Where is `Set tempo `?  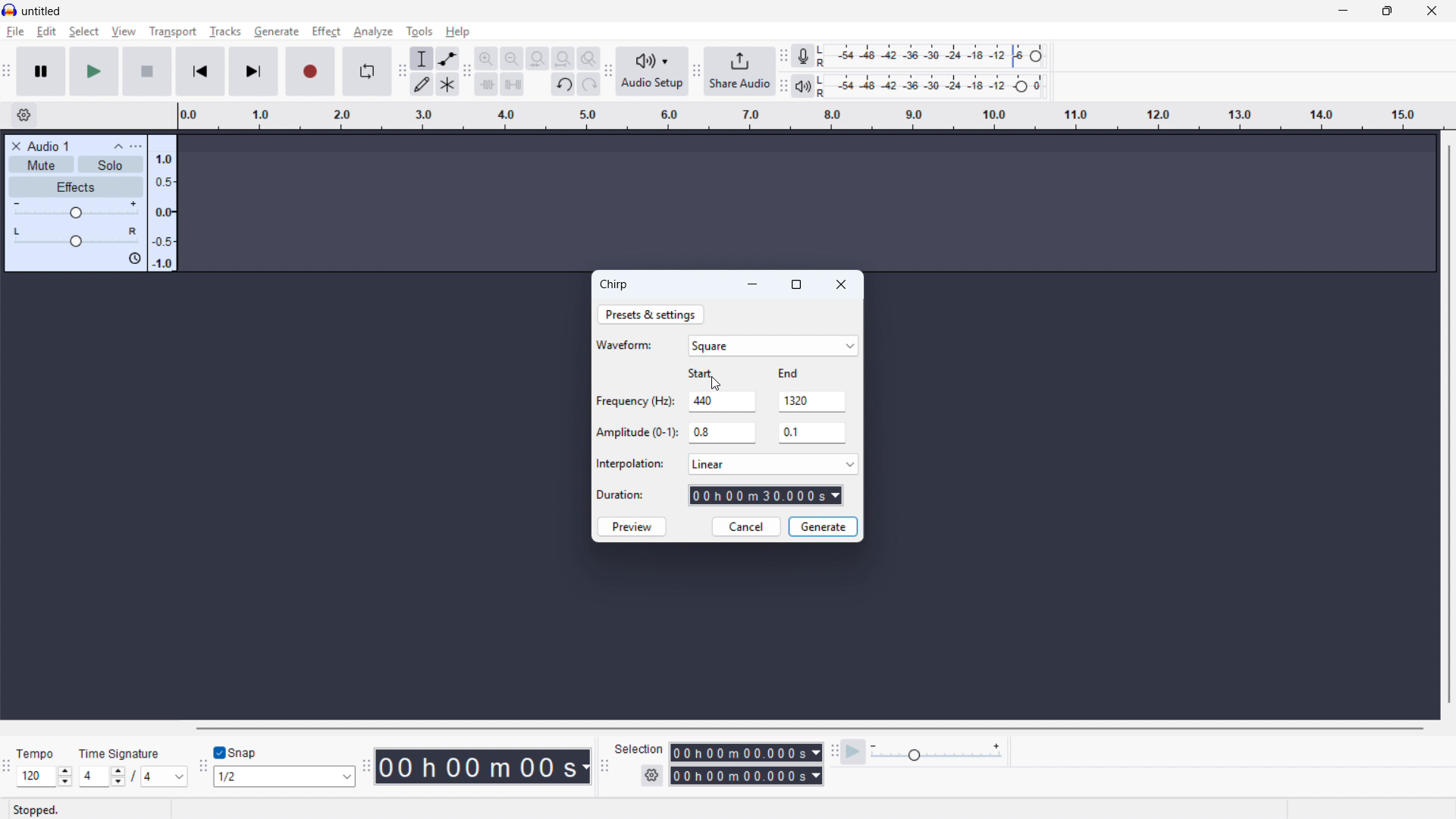
Set tempo  is located at coordinates (44, 777).